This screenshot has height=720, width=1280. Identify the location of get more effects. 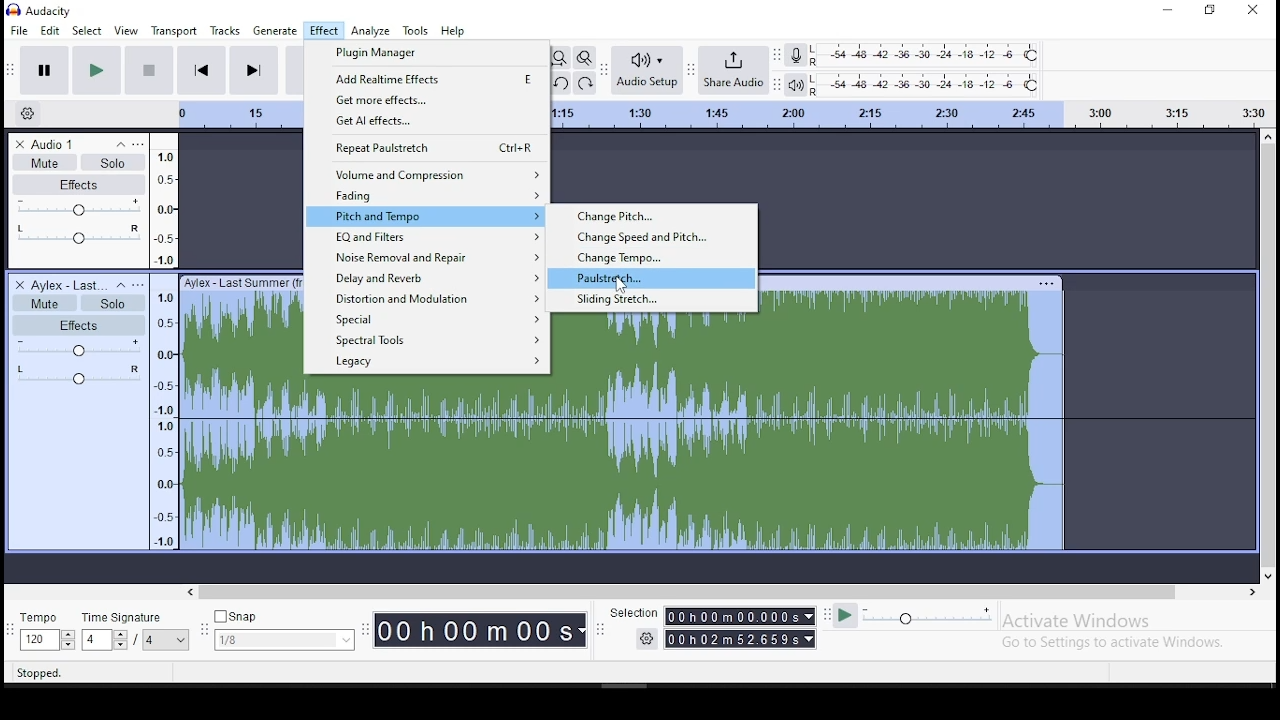
(428, 100).